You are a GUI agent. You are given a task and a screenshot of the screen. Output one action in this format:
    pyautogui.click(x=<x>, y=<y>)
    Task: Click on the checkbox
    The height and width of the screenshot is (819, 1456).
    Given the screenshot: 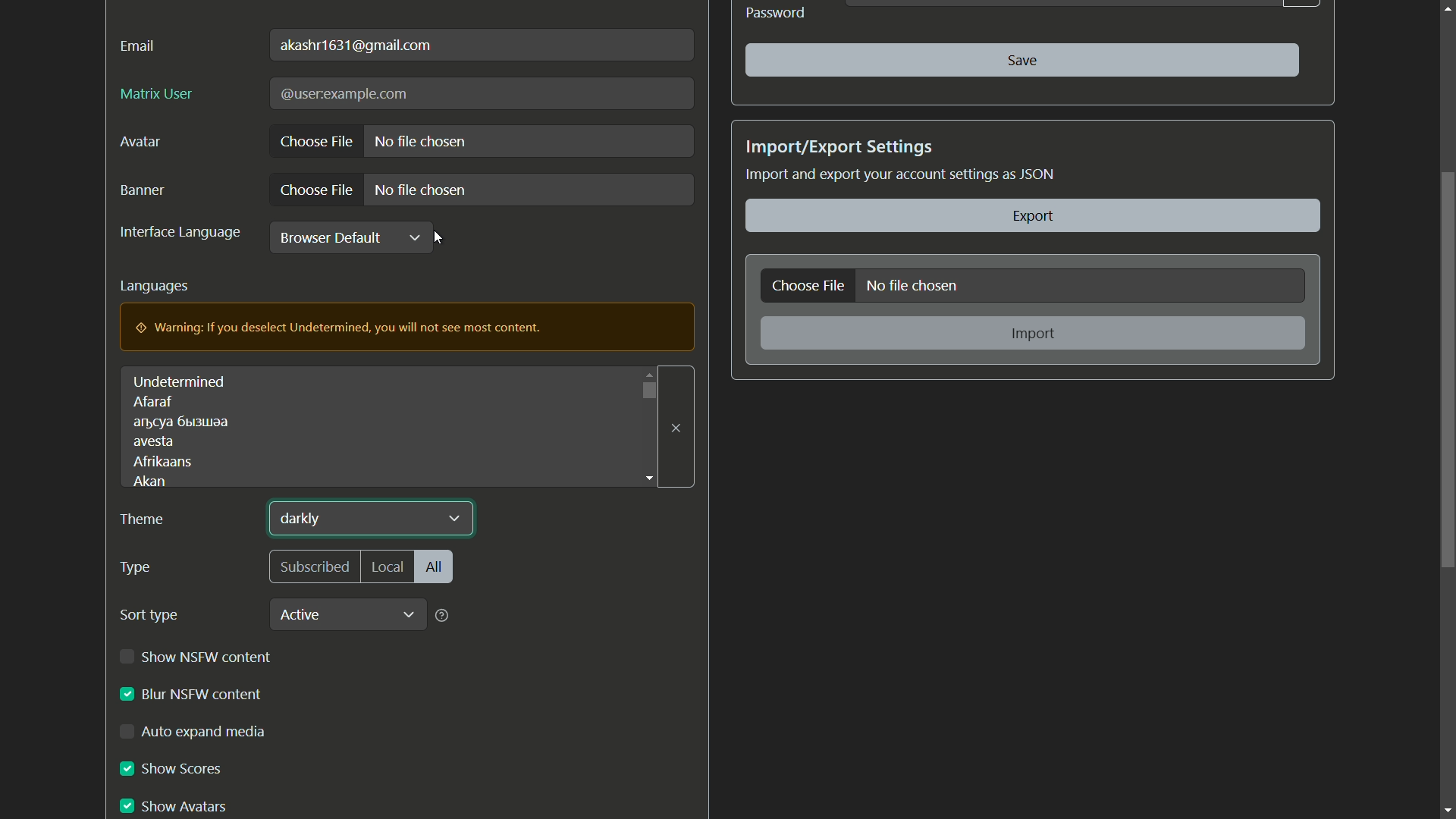 What is the action you would take?
    pyautogui.click(x=126, y=806)
    